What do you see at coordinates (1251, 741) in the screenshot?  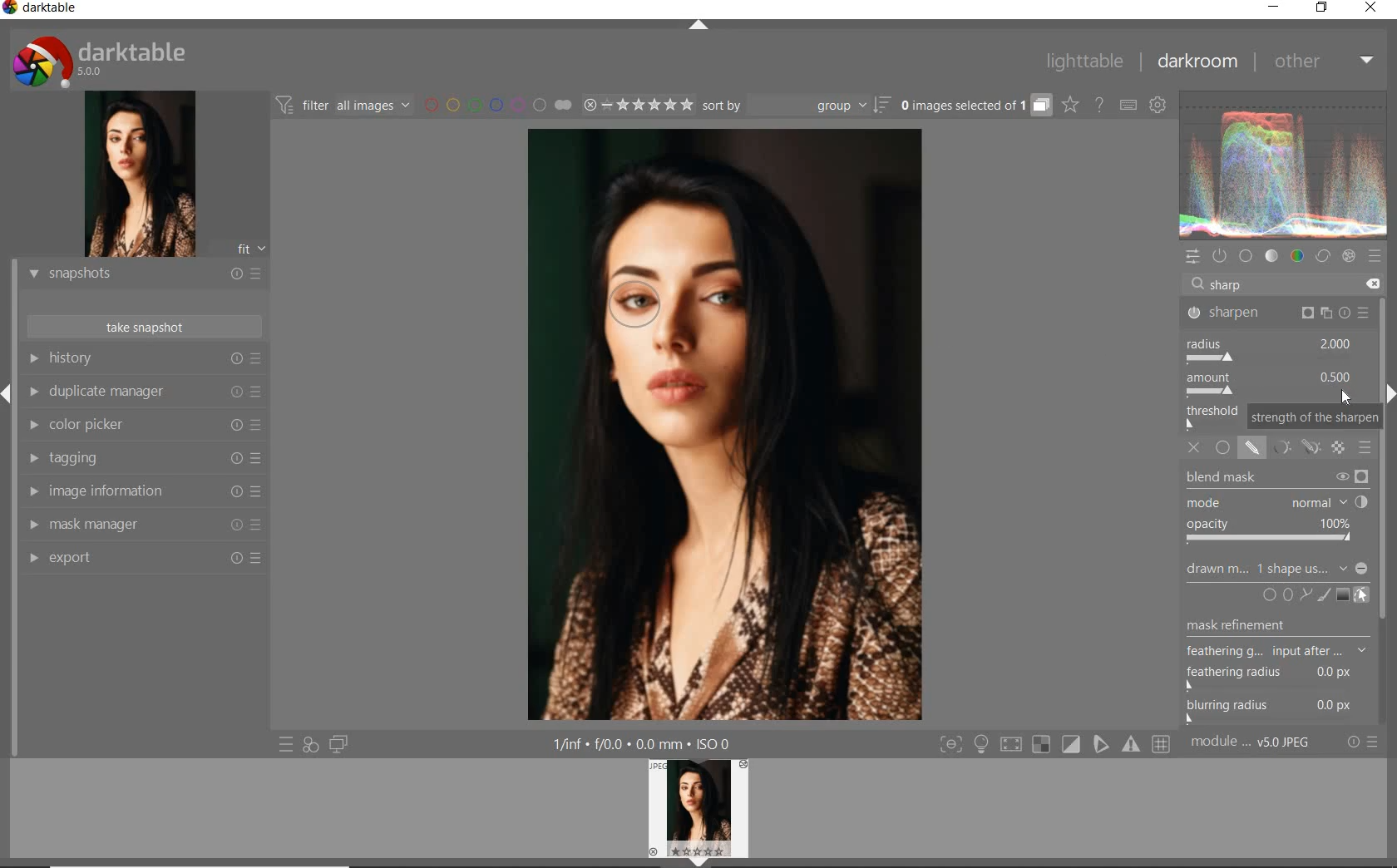 I see `module..v50JPEG` at bounding box center [1251, 741].